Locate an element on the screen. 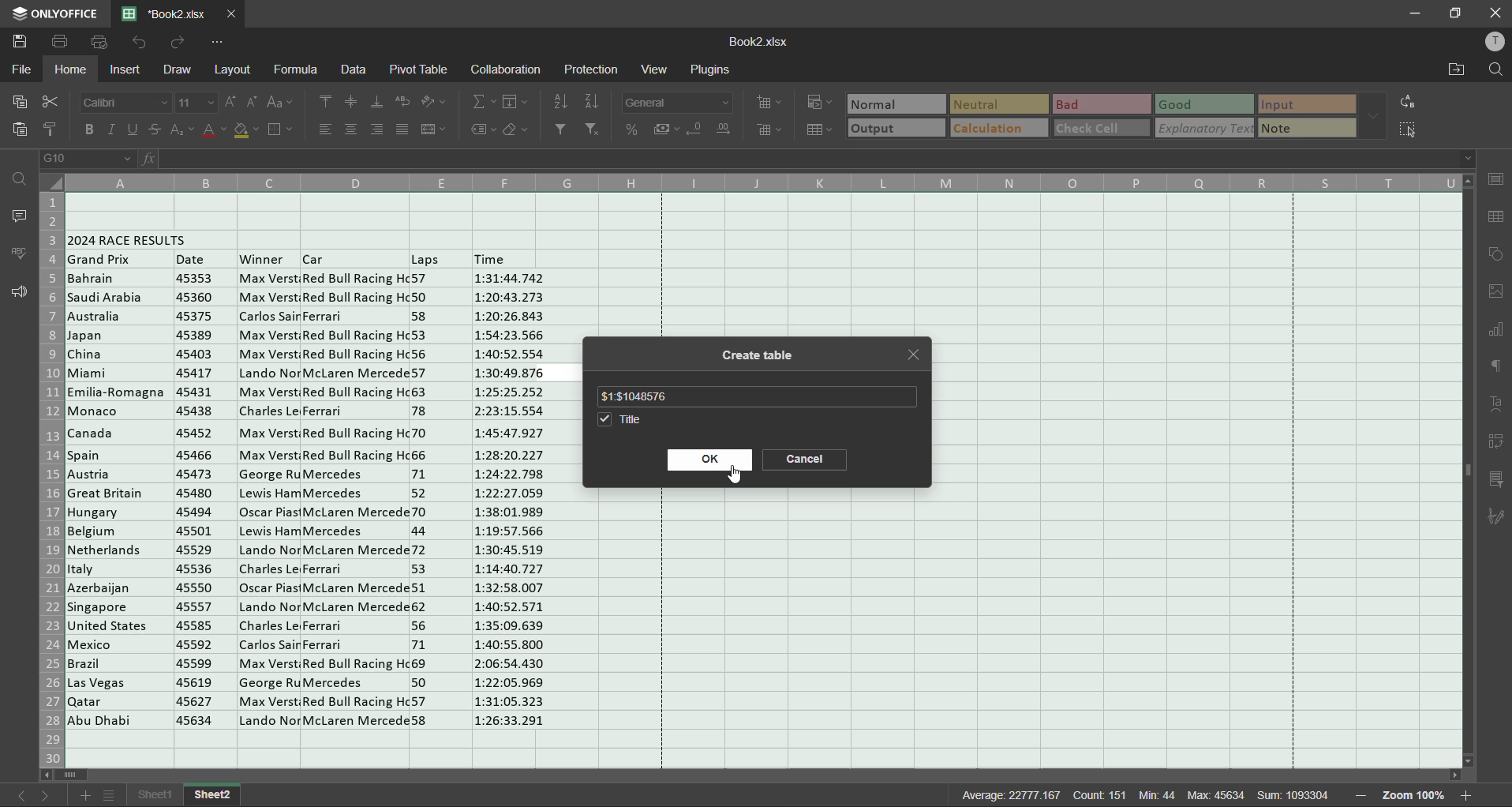   is located at coordinates (319, 259).